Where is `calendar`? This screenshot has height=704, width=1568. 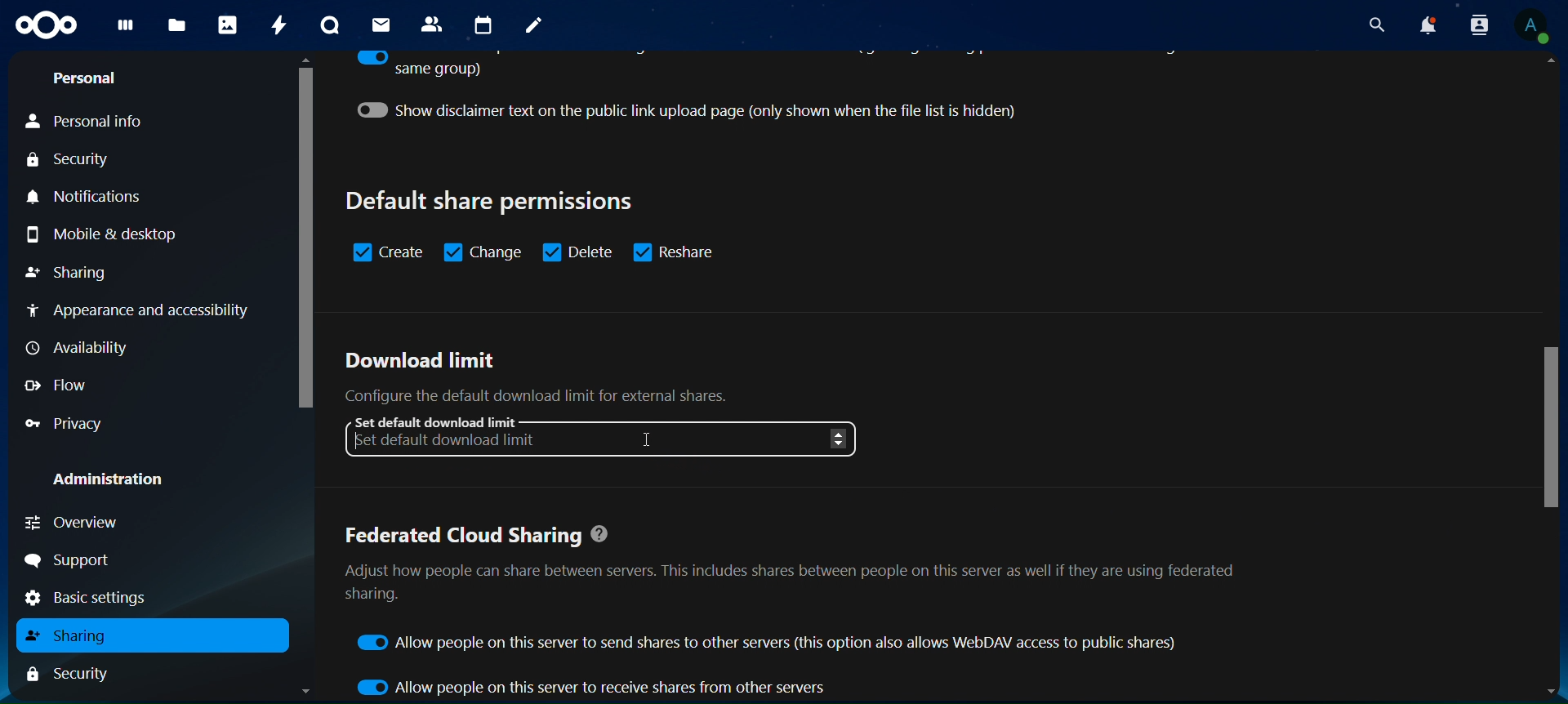
calendar is located at coordinates (483, 25).